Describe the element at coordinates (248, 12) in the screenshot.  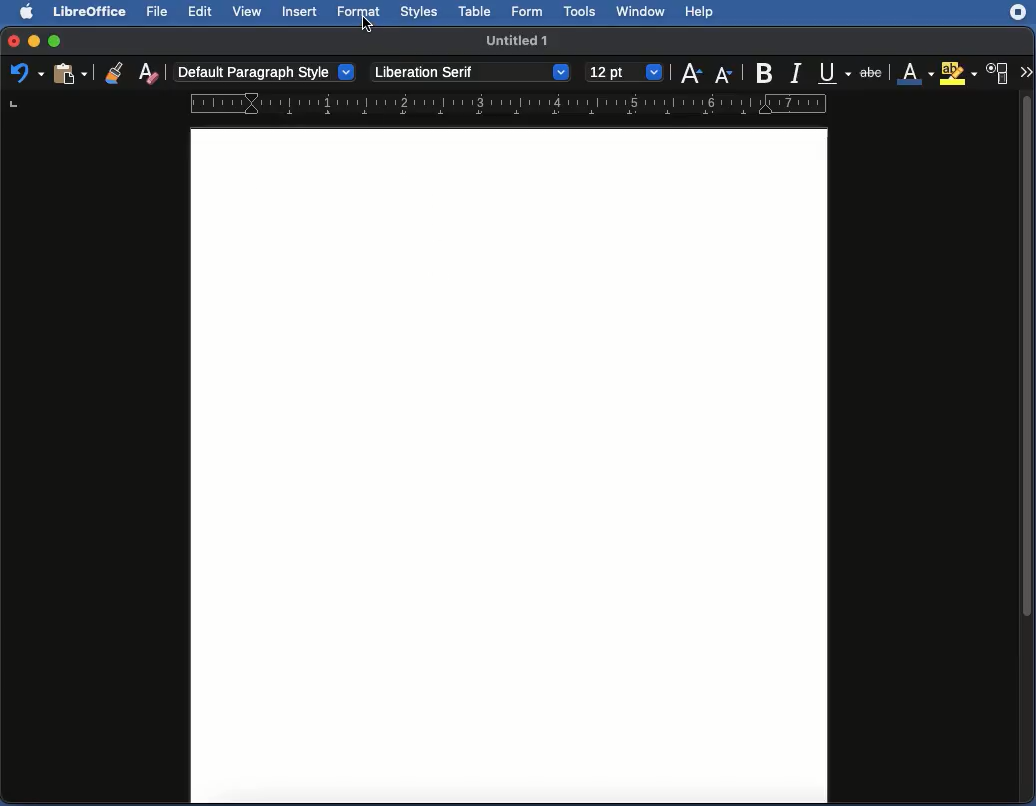
I see `View` at that location.